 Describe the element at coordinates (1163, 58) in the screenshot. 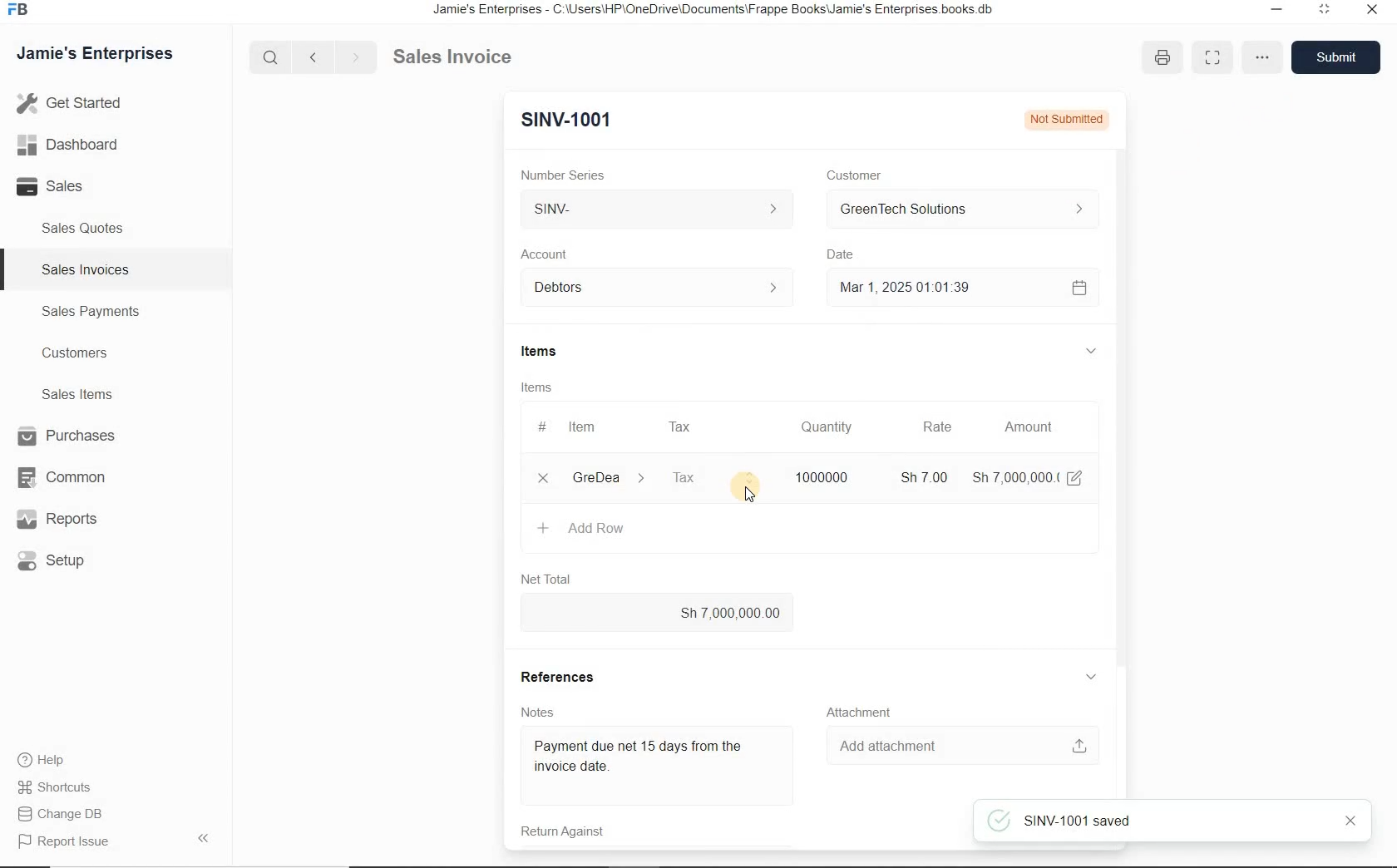

I see `print` at that location.